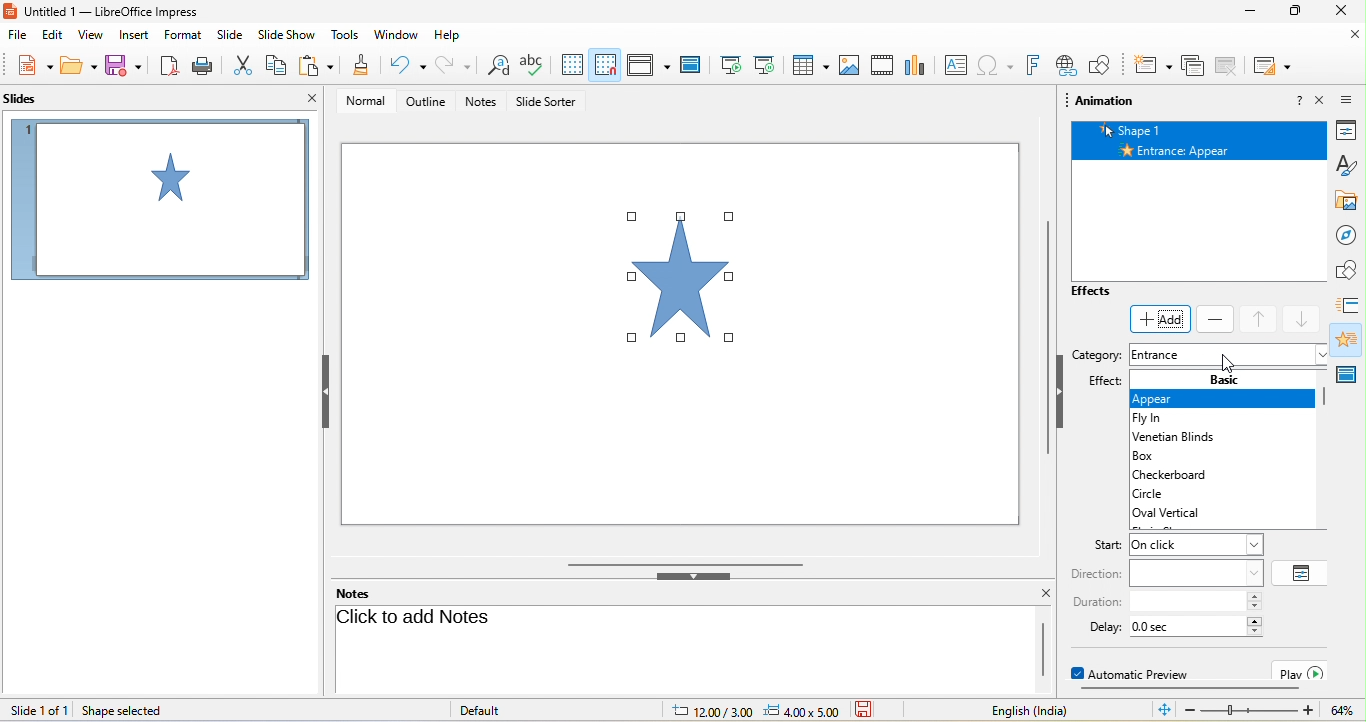 The width and height of the screenshot is (1366, 722). What do you see at coordinates (1216, 319) in the screenshot?
I see `remove effect` at bounding box center [1216, 319].